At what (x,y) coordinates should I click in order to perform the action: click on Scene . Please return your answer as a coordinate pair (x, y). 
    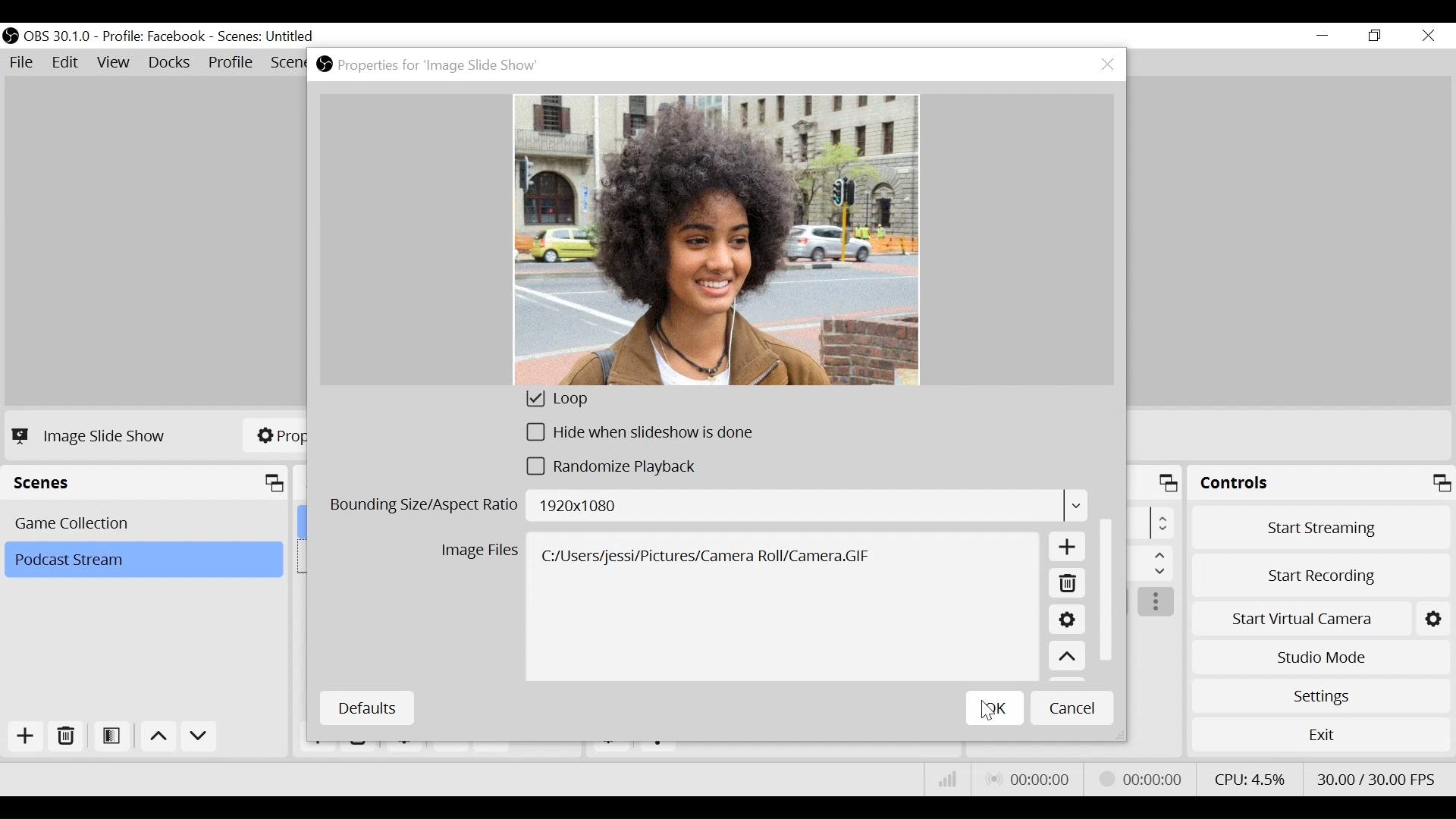
    Looking at the image, I should click on (143, 560).